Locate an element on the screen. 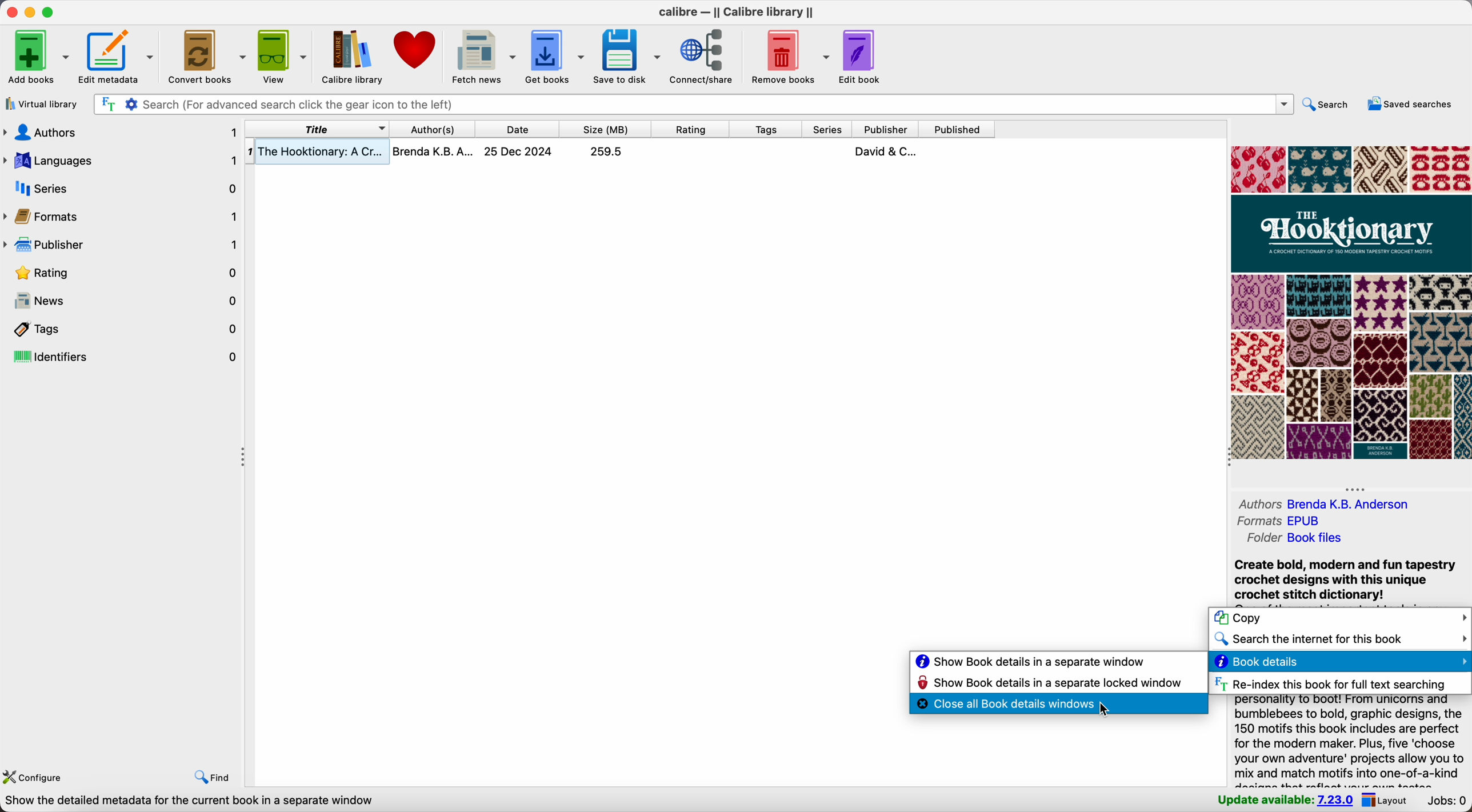 This screenshot has height=812, width=1472. click on close all book details windows is located at coordinates (1059, 706).